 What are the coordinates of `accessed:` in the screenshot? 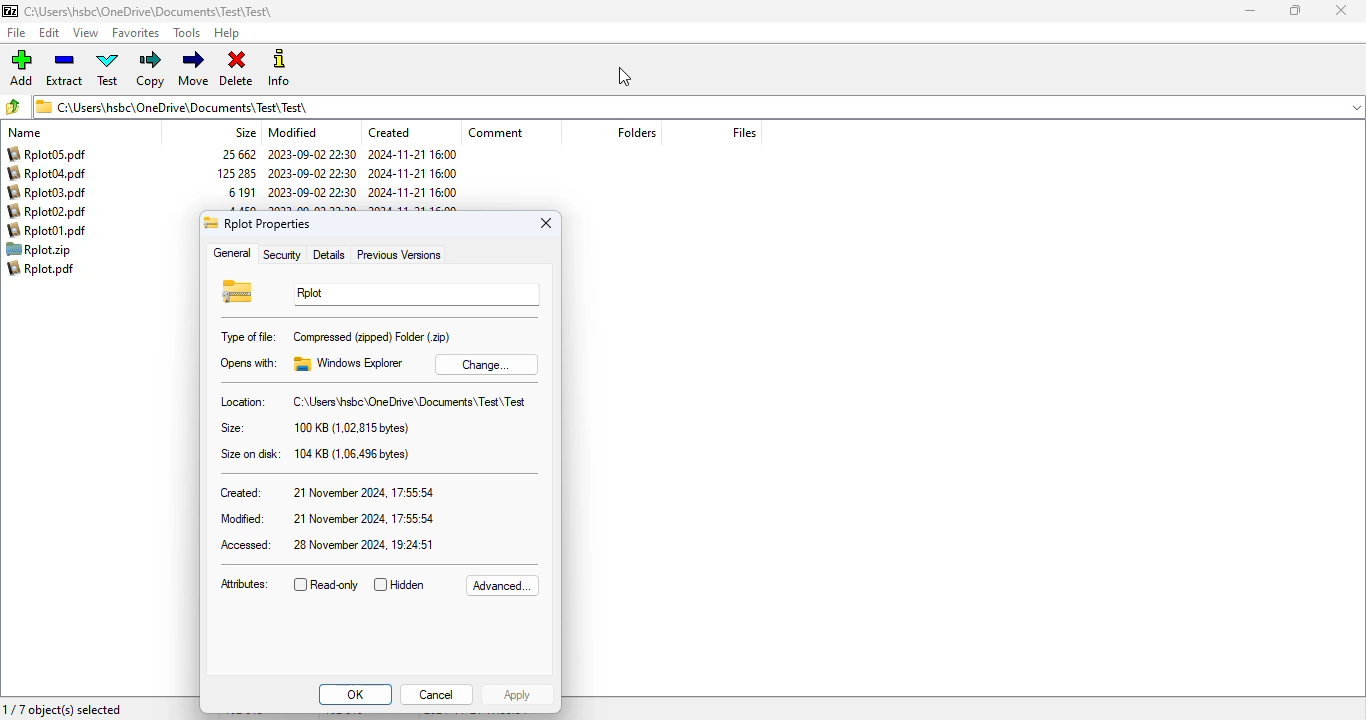 It's located at (245, 545).